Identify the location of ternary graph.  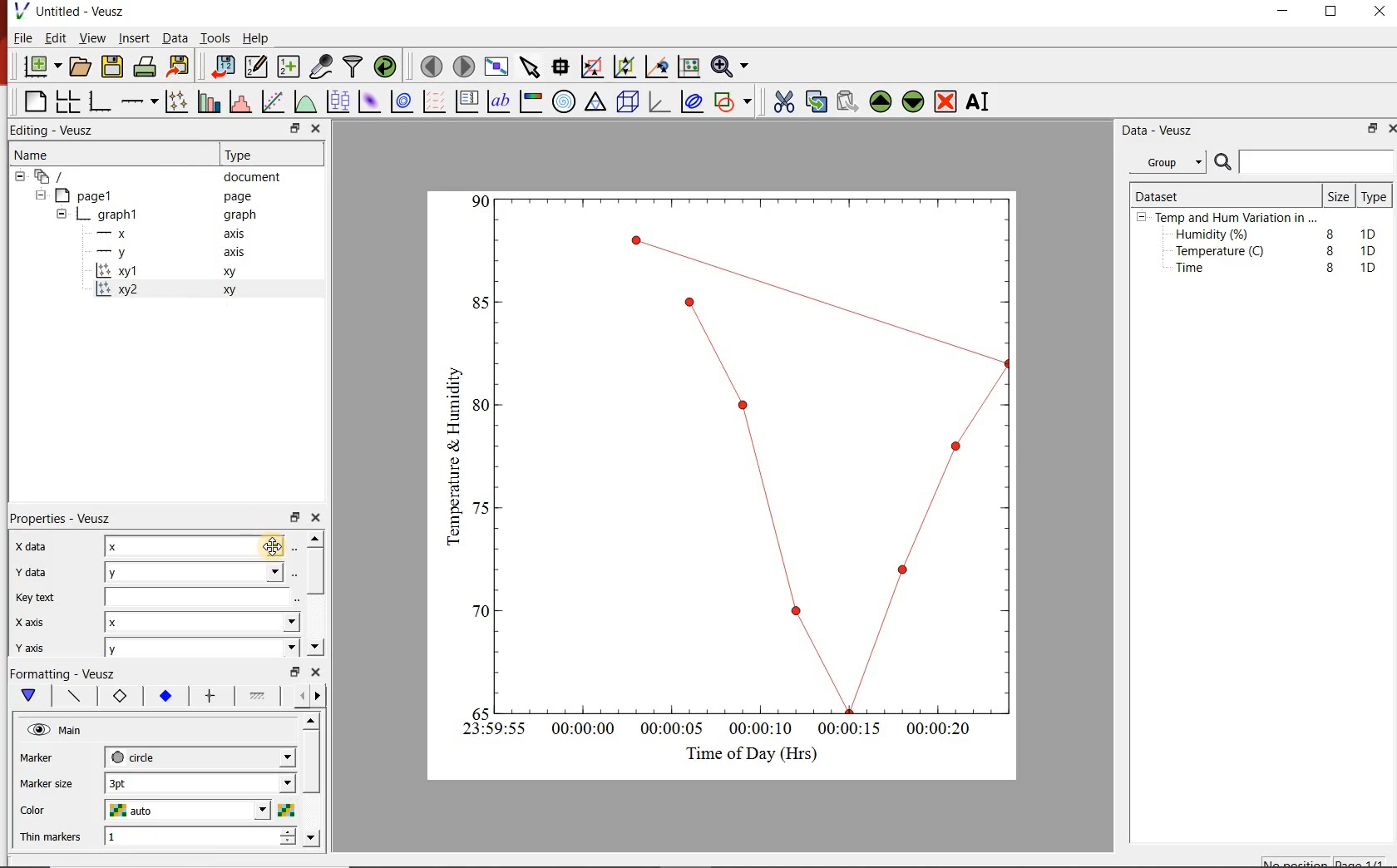
(597, 104).